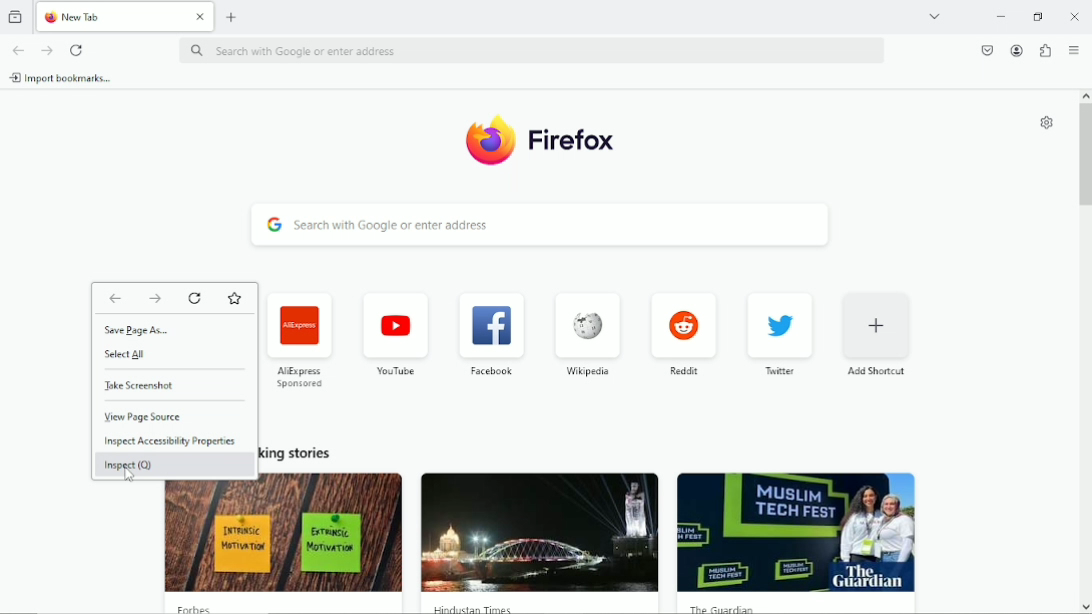  Describe the element at coordinates (284, 536) in the screenshot. I see `image` at that location.